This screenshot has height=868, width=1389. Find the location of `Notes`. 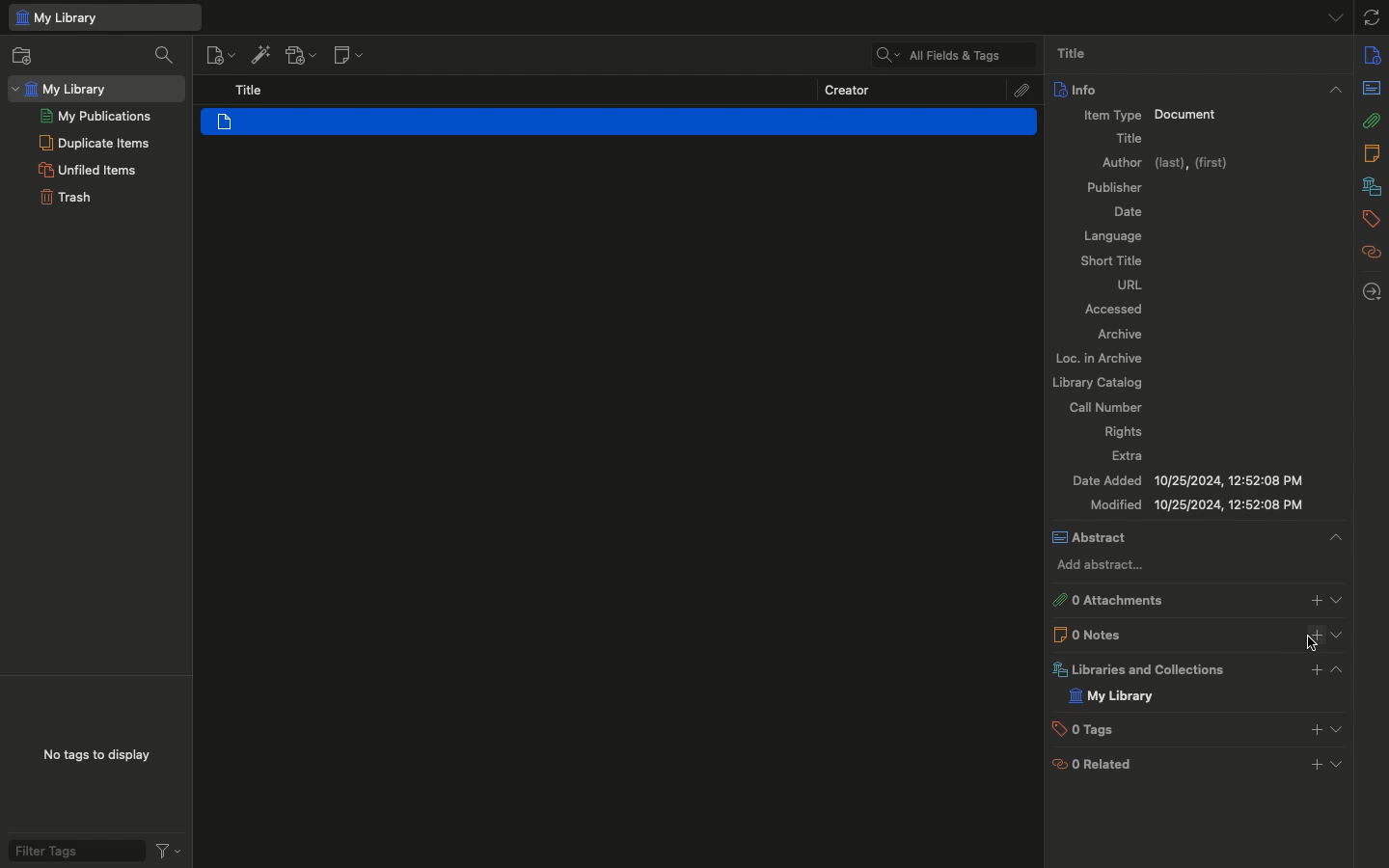

Notes is located at coordinates (1087, 634).